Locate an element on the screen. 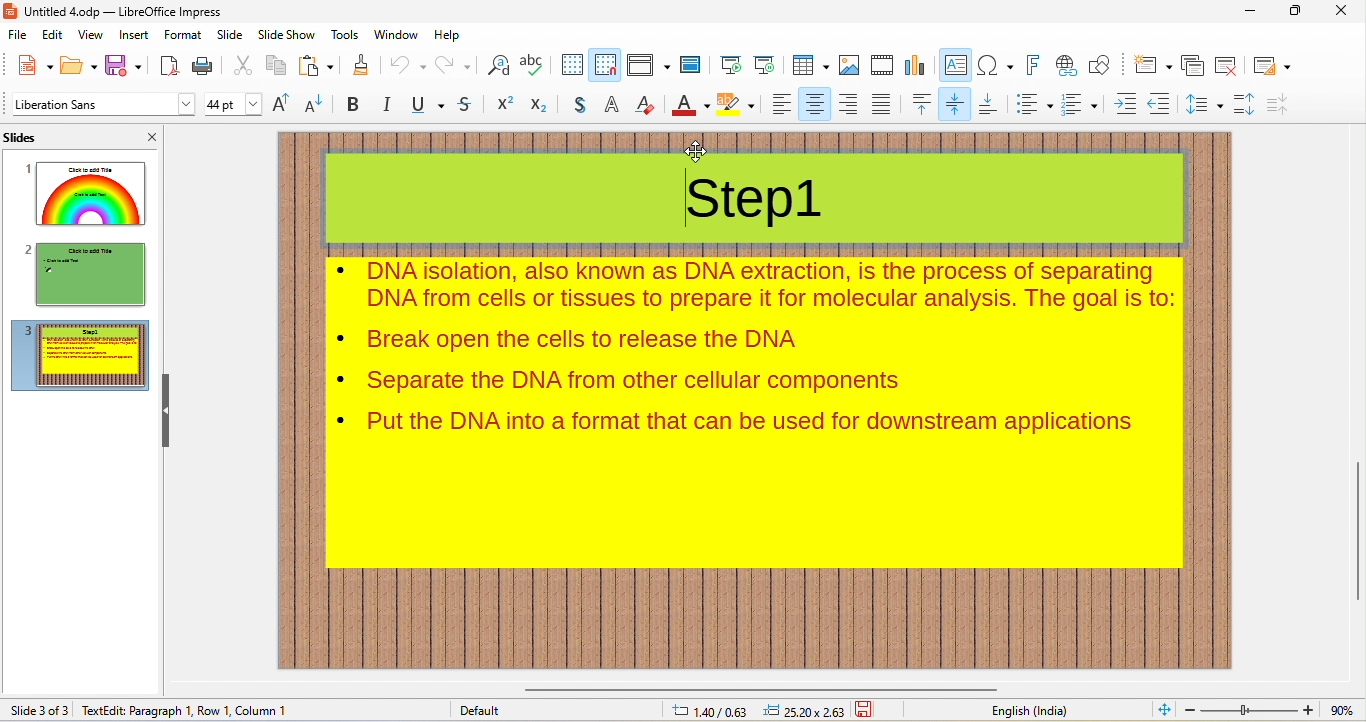 This screenshot has width=1366, height=722. format is located at coordinates (180, 35).